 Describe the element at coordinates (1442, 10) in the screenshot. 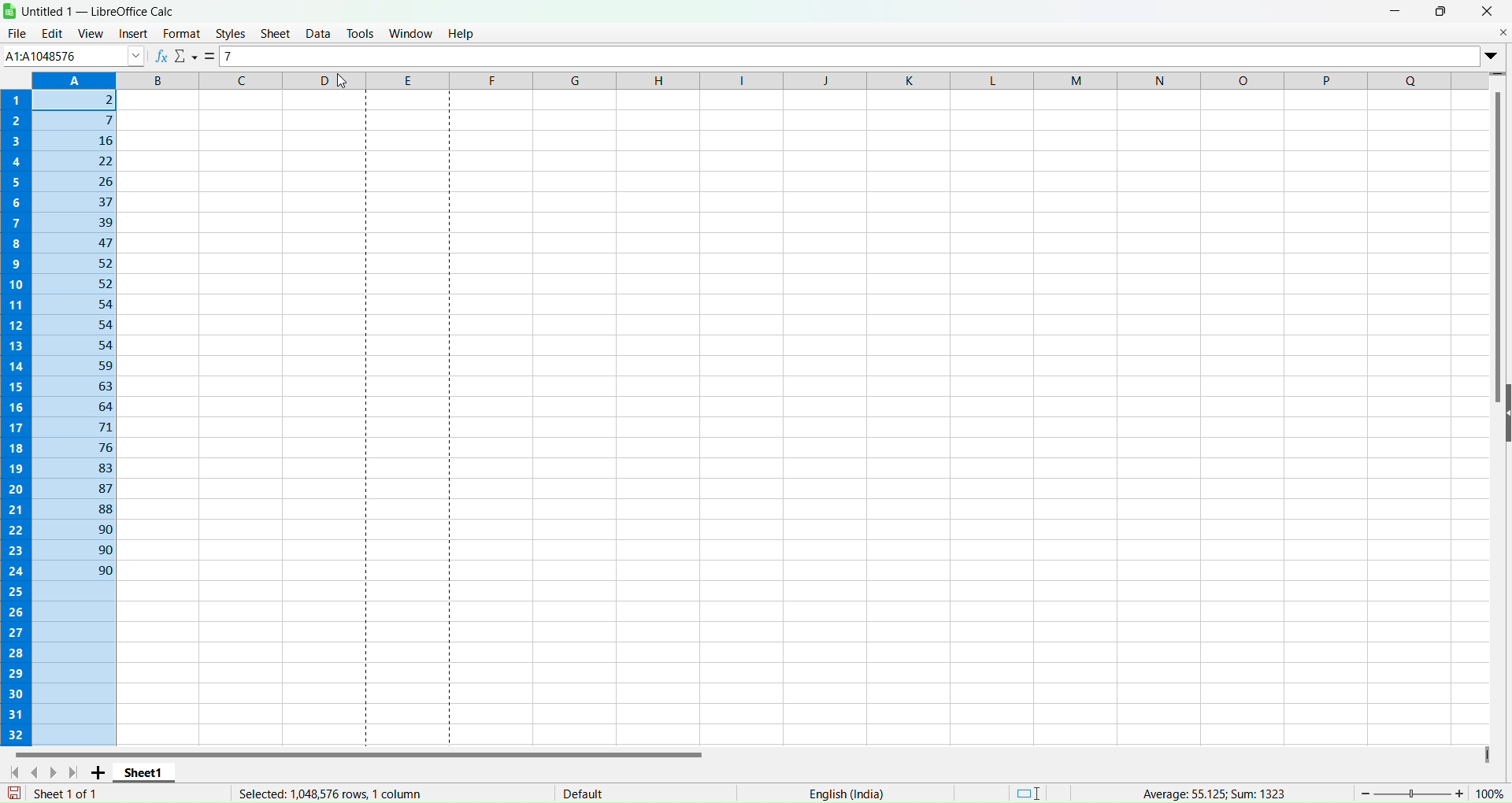

I see `Maximize` at that location.